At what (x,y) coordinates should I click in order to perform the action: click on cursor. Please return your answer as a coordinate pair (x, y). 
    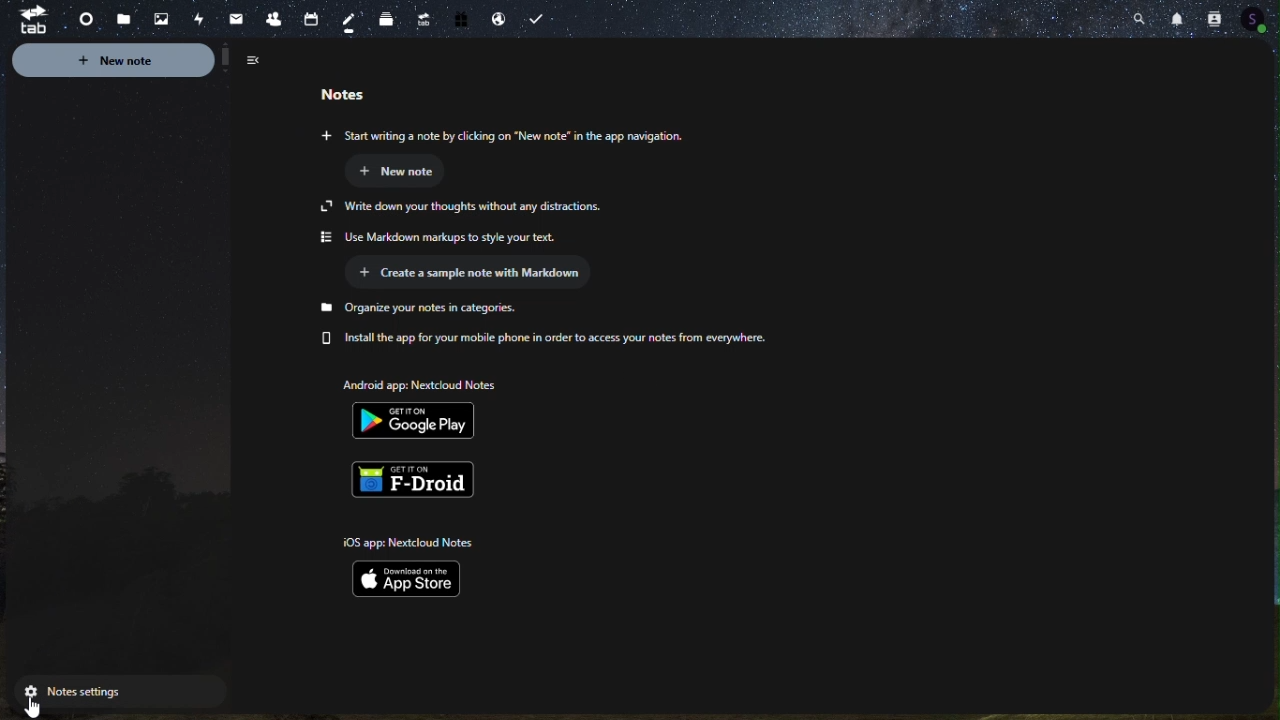
    Looking at the image, I should click on (38, 708).